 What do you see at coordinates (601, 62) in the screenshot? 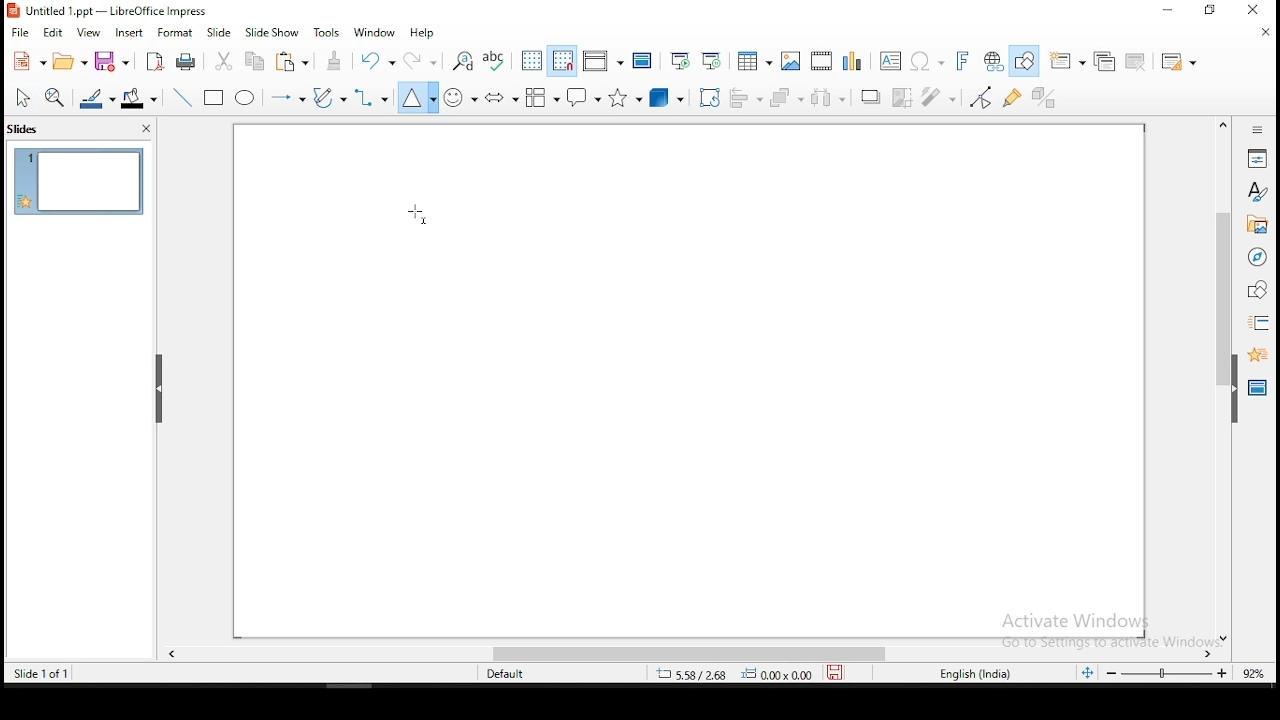
I see `display views` at bounding box center [601, 62].